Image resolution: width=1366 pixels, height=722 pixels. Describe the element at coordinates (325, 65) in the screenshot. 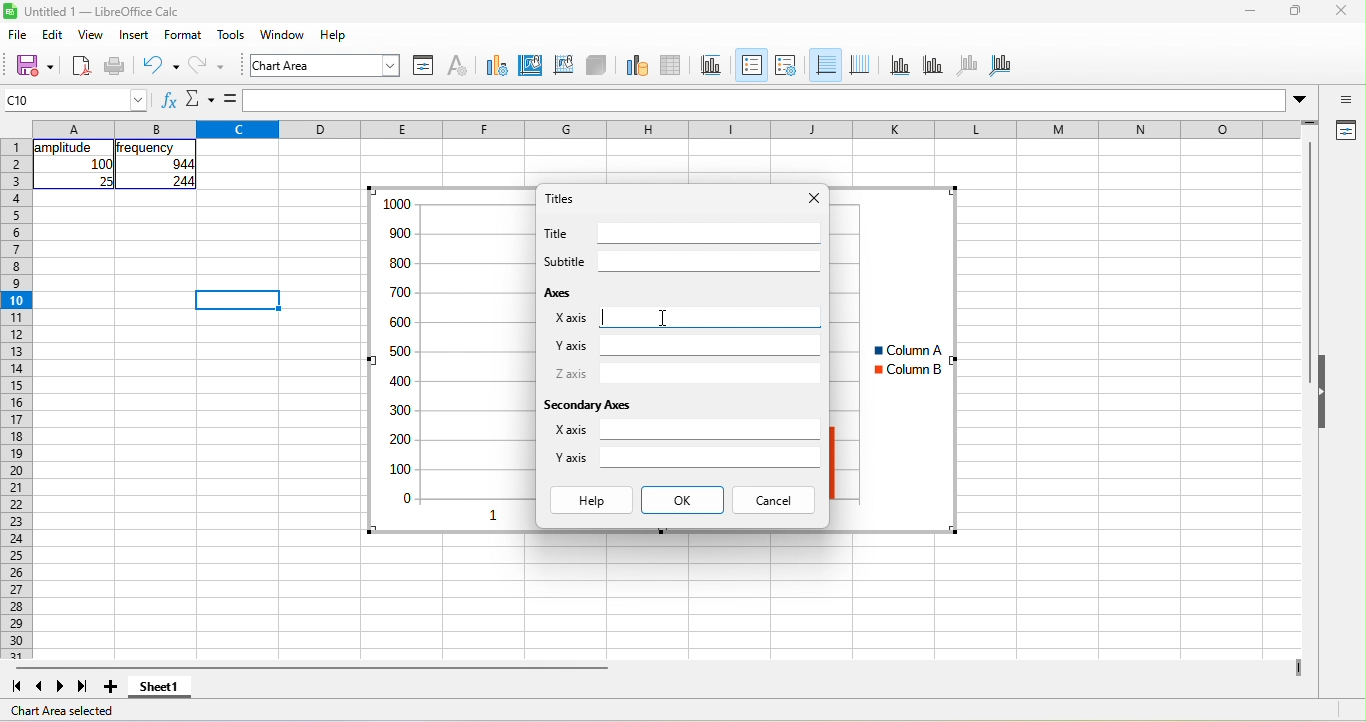

I see `font name` at that location.